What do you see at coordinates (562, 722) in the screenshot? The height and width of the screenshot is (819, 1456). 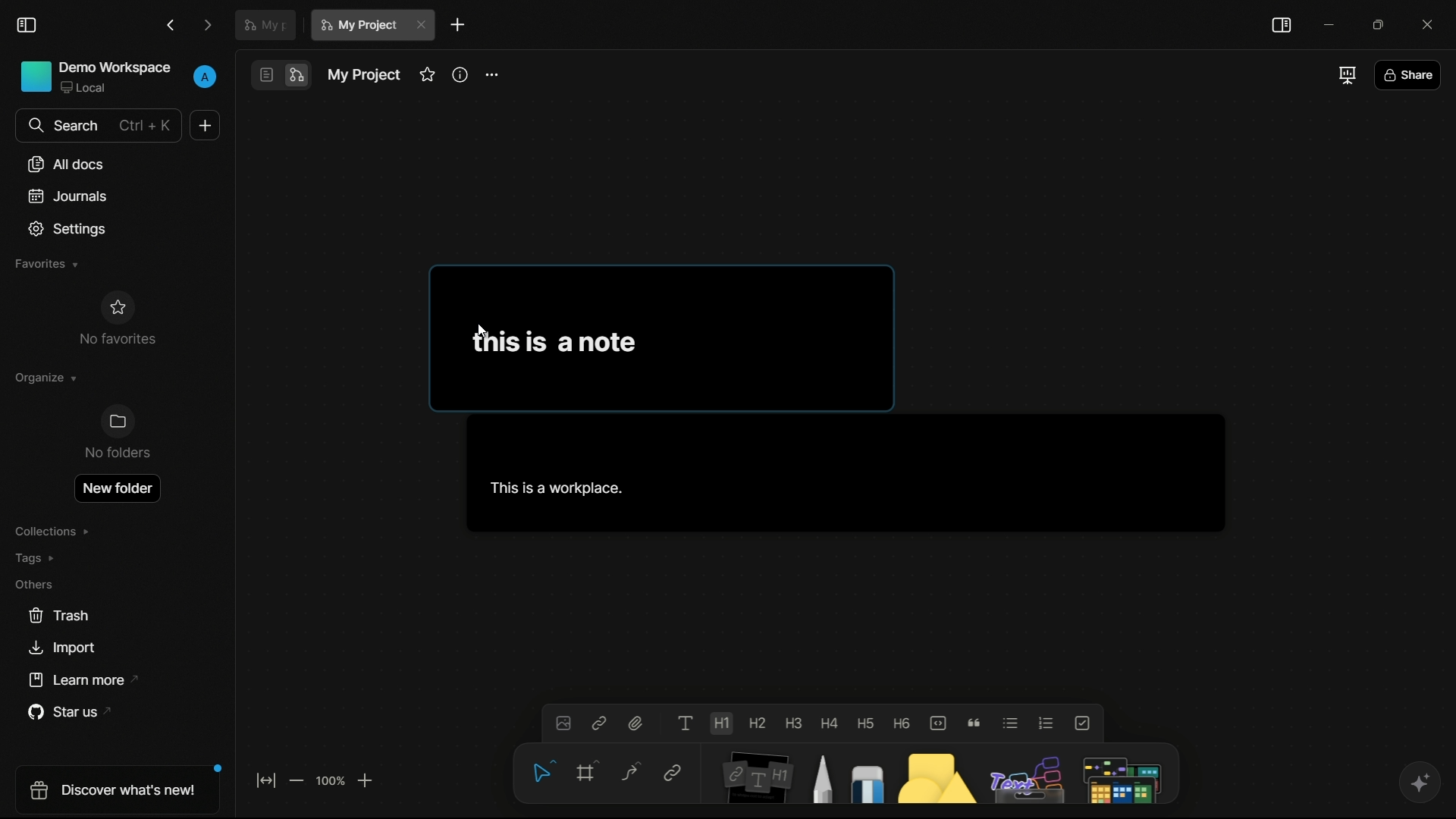 I see `insert image` at bounding box center [562, 722].